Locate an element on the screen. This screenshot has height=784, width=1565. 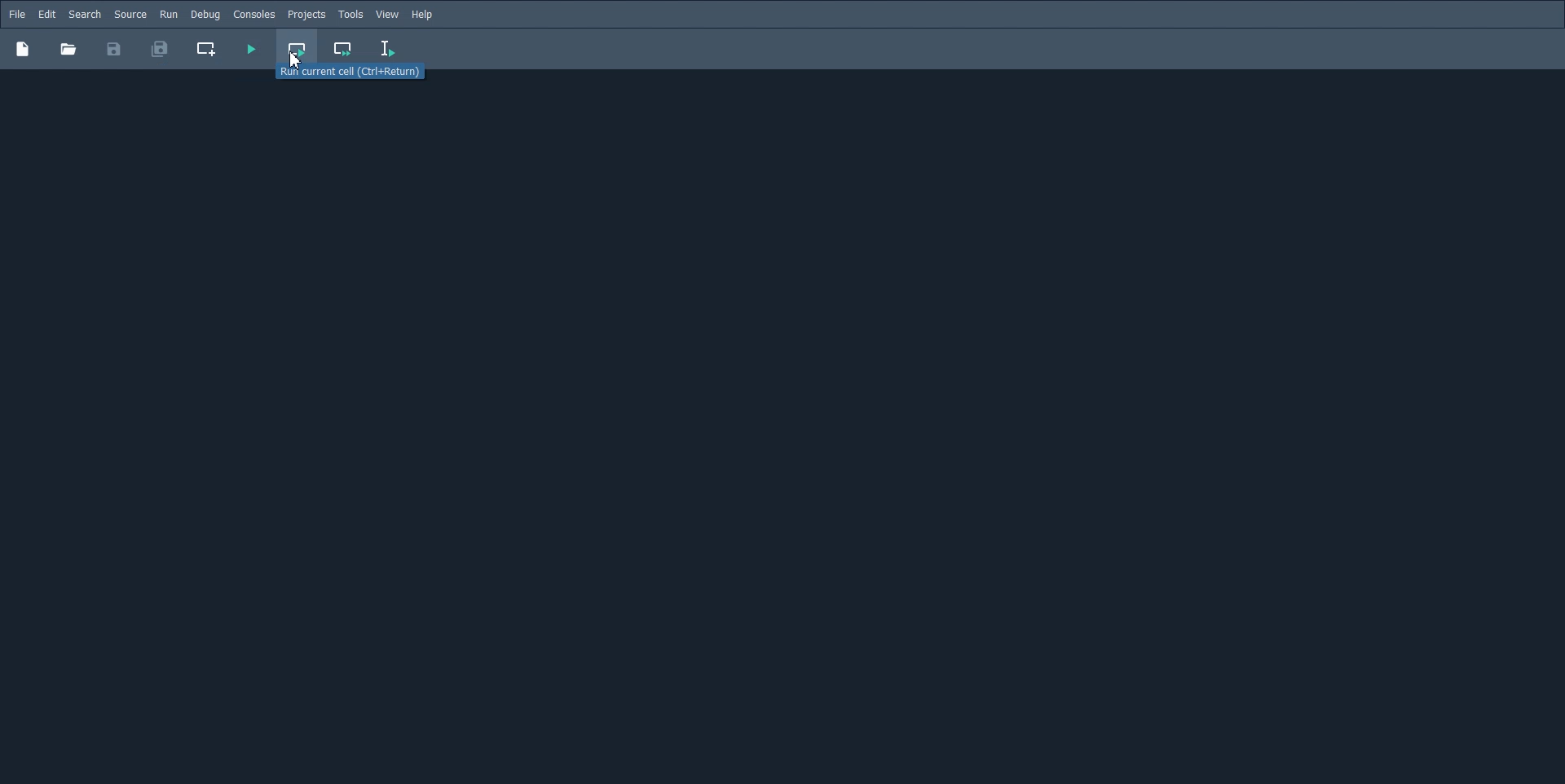
view is located at coordinates (388, 15).